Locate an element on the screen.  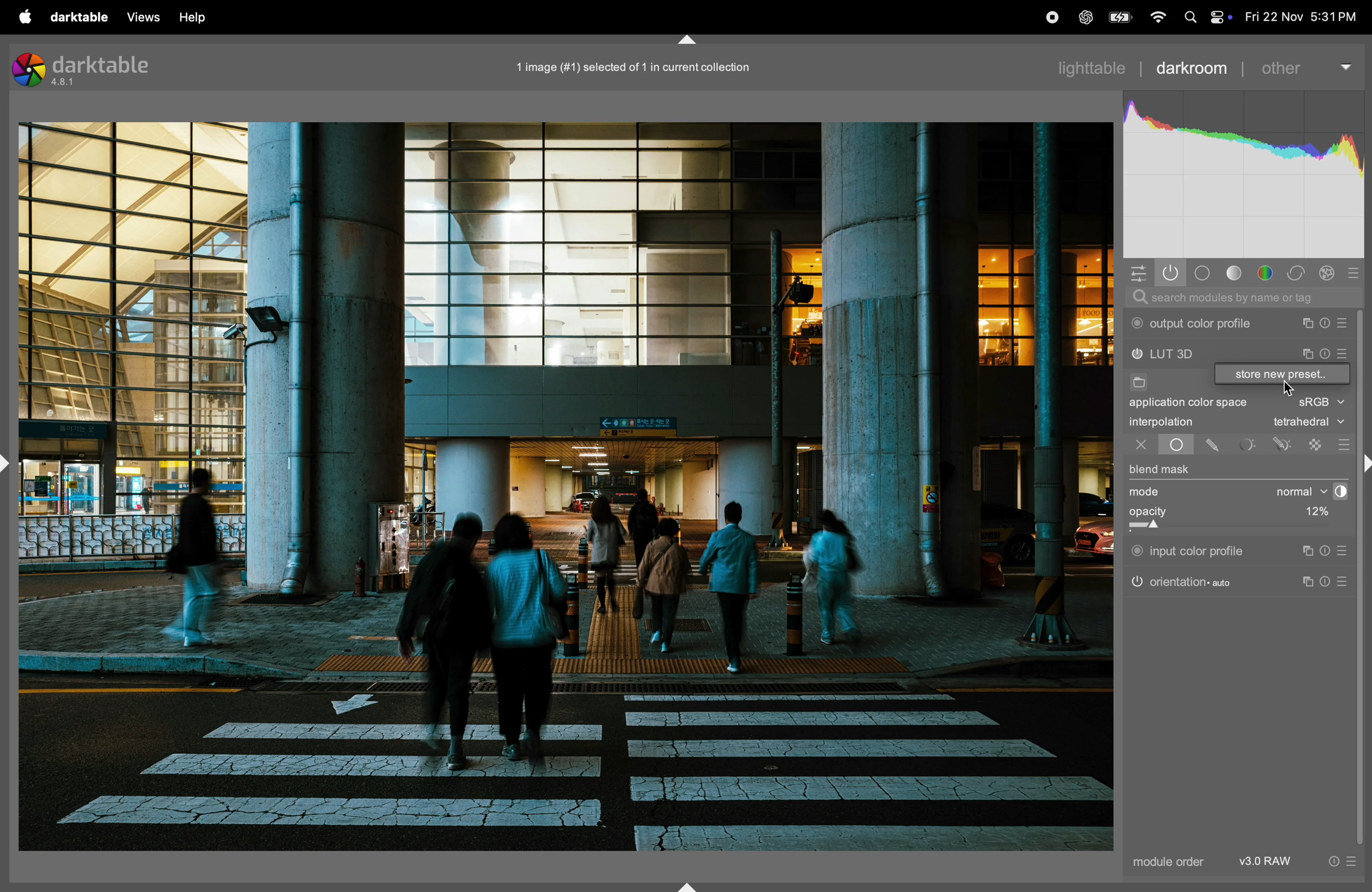
shift+ctrl+l is located at coordinates (9, 462).